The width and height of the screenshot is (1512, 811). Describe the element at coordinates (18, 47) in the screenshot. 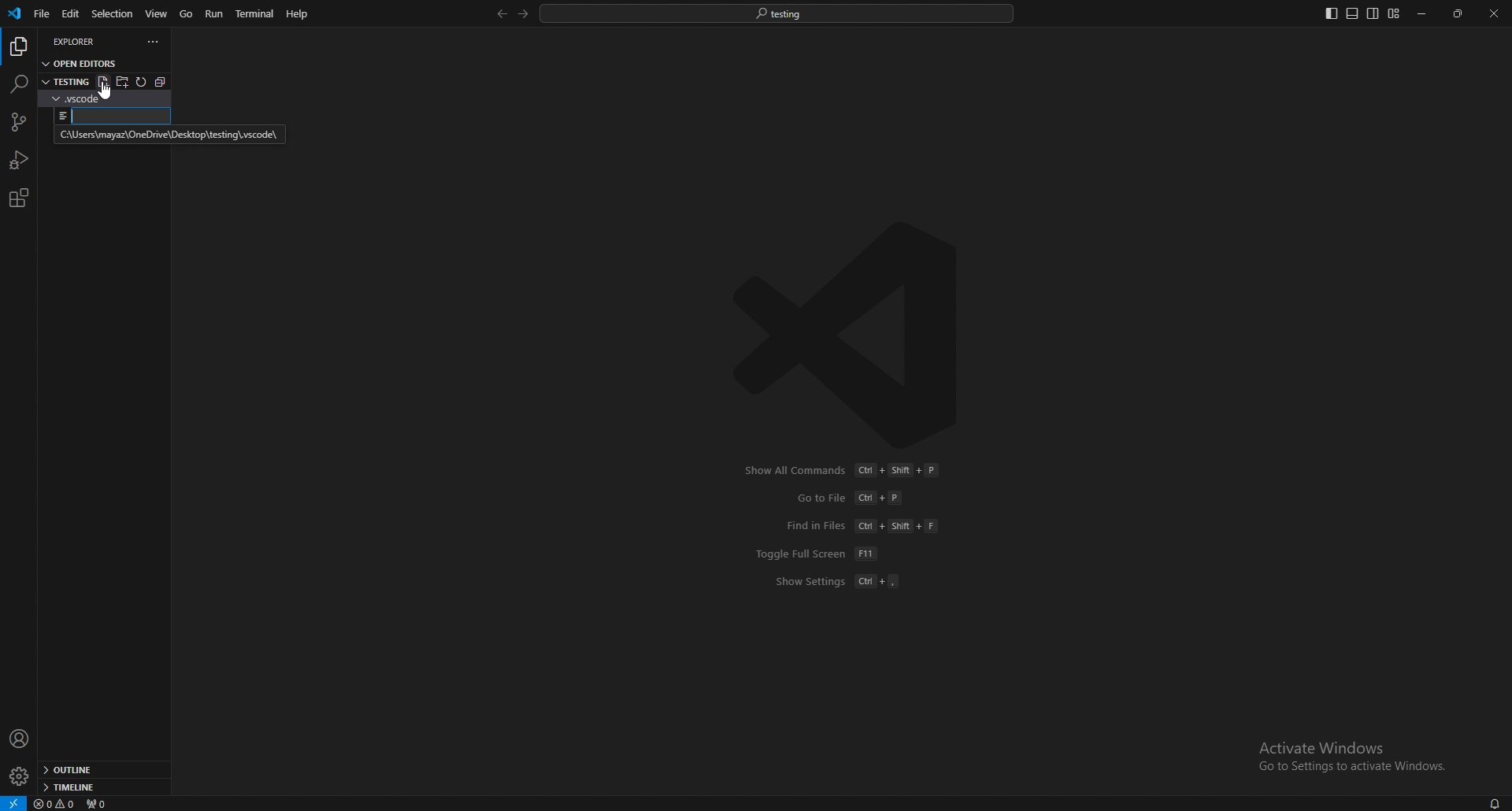

I see `explorer` at that location.